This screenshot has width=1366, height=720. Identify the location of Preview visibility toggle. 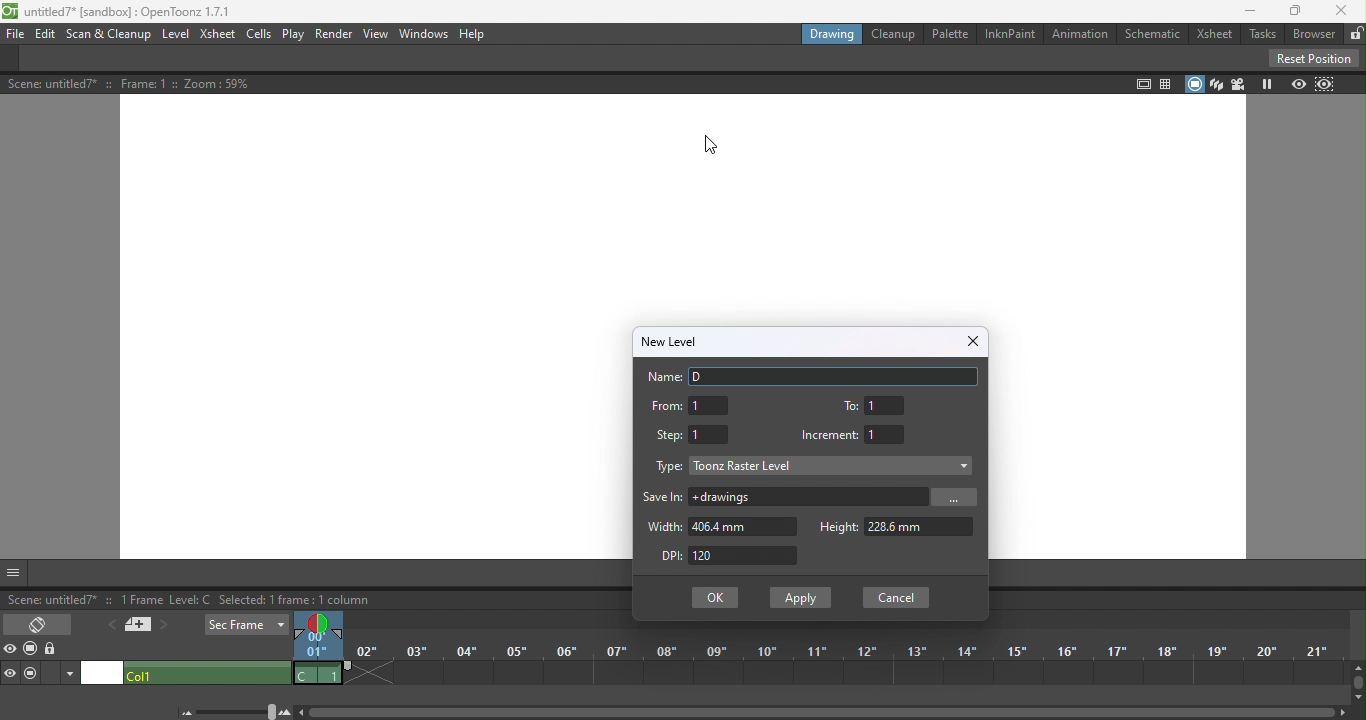
(12, 673).